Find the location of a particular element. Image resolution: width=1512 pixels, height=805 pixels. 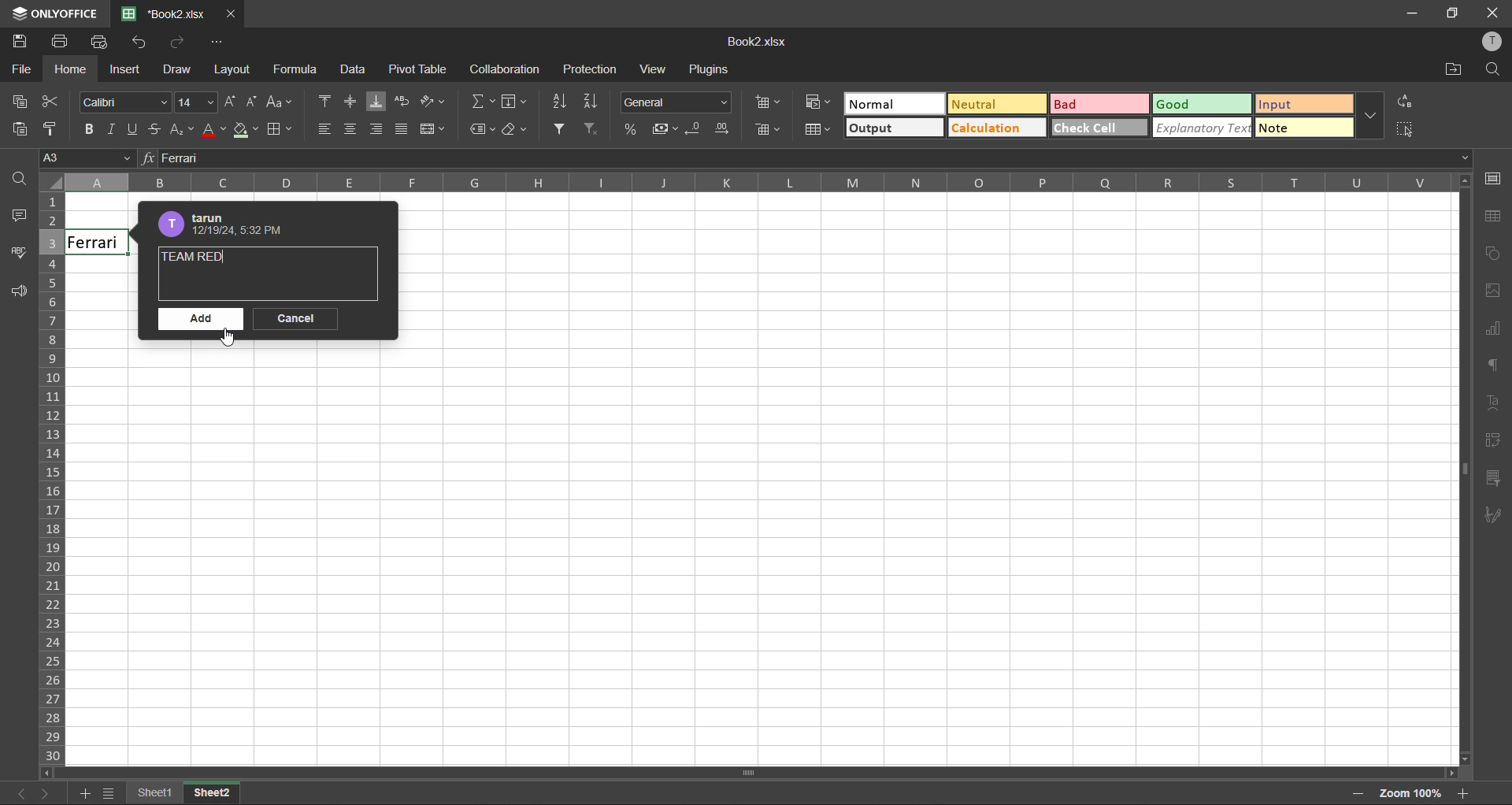

pivot table is located at coordinates (1494, 443).